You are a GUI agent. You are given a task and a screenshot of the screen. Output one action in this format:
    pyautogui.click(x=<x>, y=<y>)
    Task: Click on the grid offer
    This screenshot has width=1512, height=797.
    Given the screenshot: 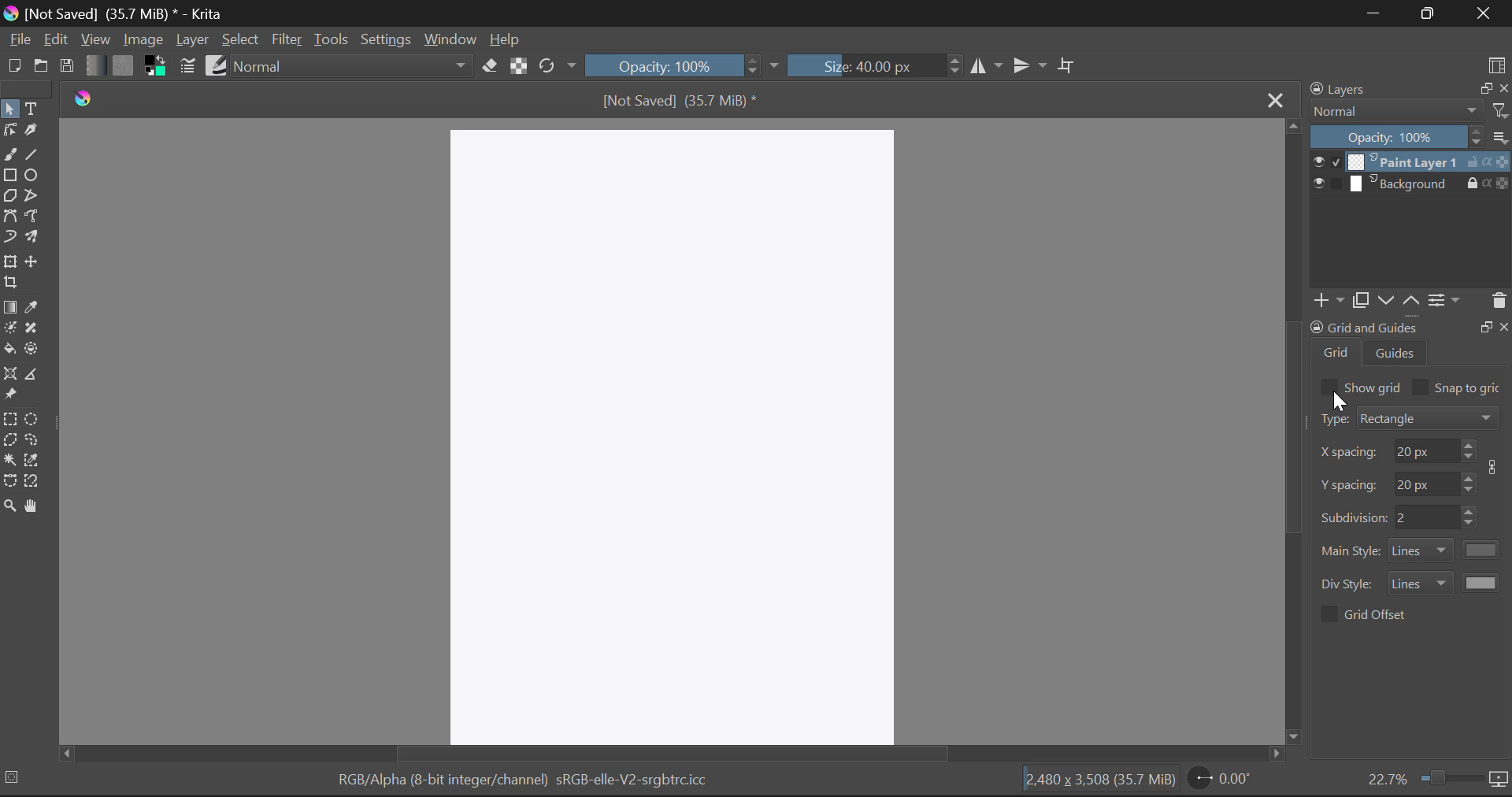 What is the action you would take?
    pyautogui.click(x=1377, y=614)
    